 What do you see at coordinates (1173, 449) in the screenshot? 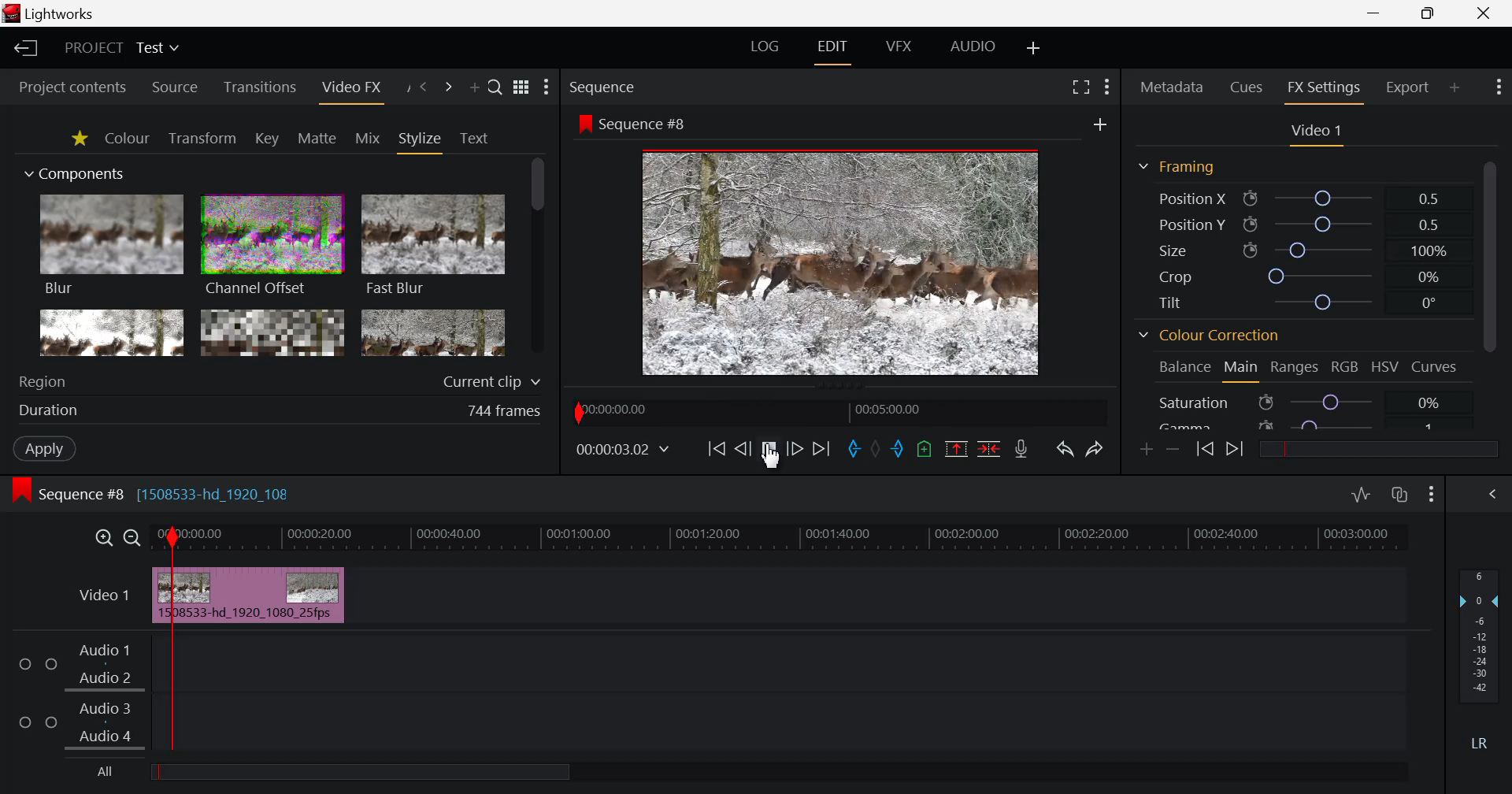
I see `Remove keyframe` at bounding box center [1173, 449].